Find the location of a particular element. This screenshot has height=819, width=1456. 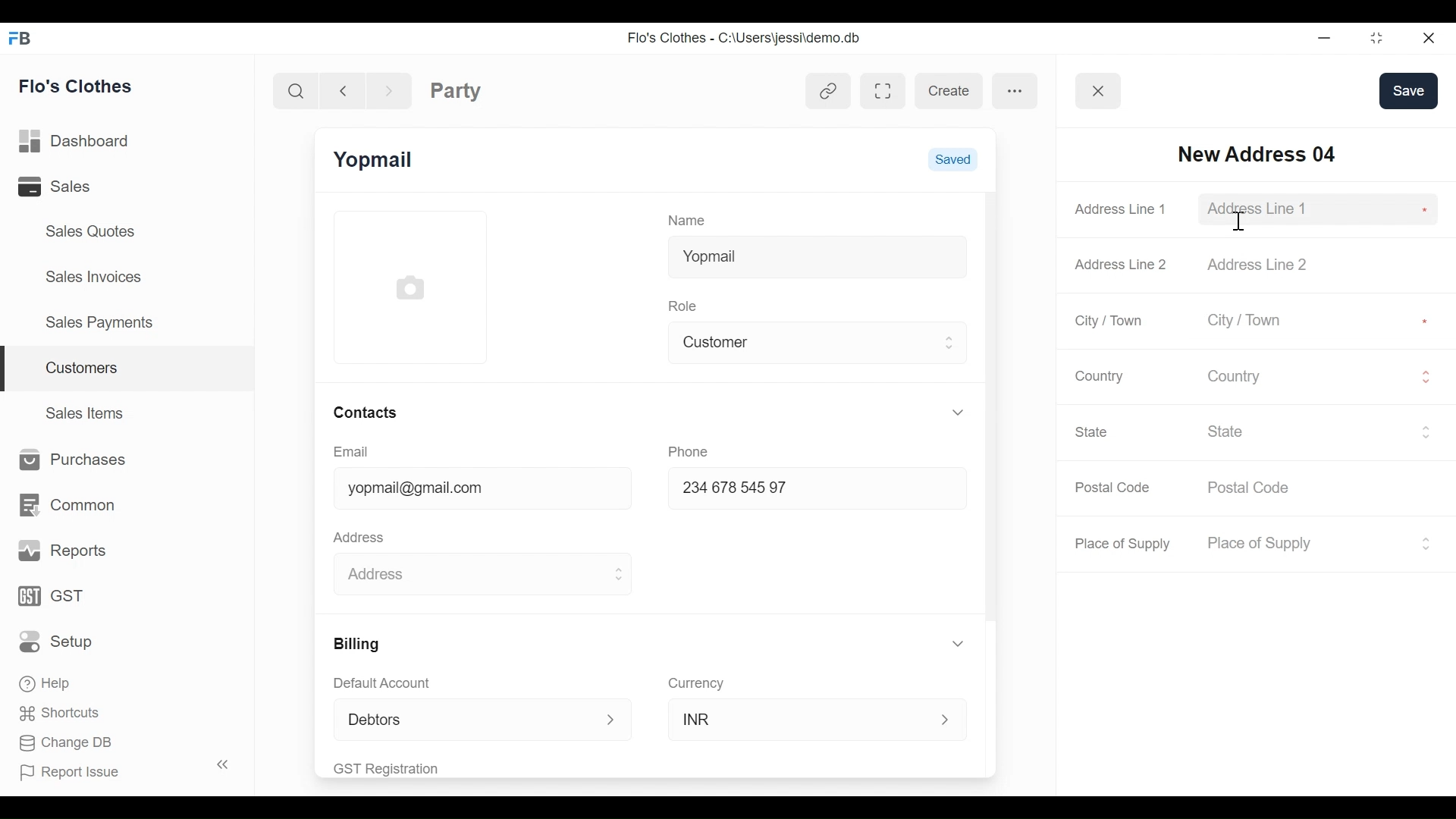

234678 54597 is located at coordinates (802, 490).